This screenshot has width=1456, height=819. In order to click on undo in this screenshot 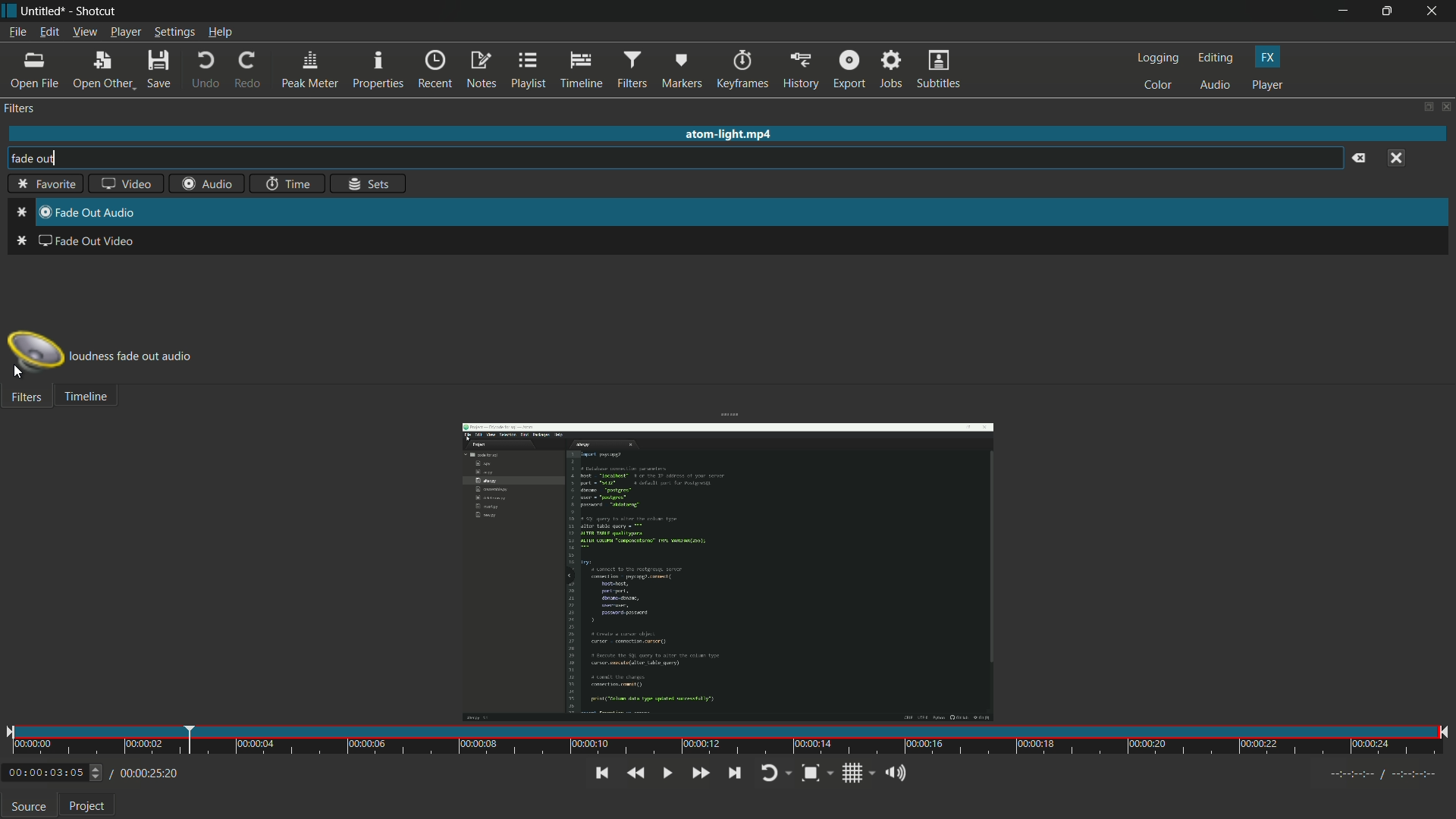, I will do `click(203, 71)`.